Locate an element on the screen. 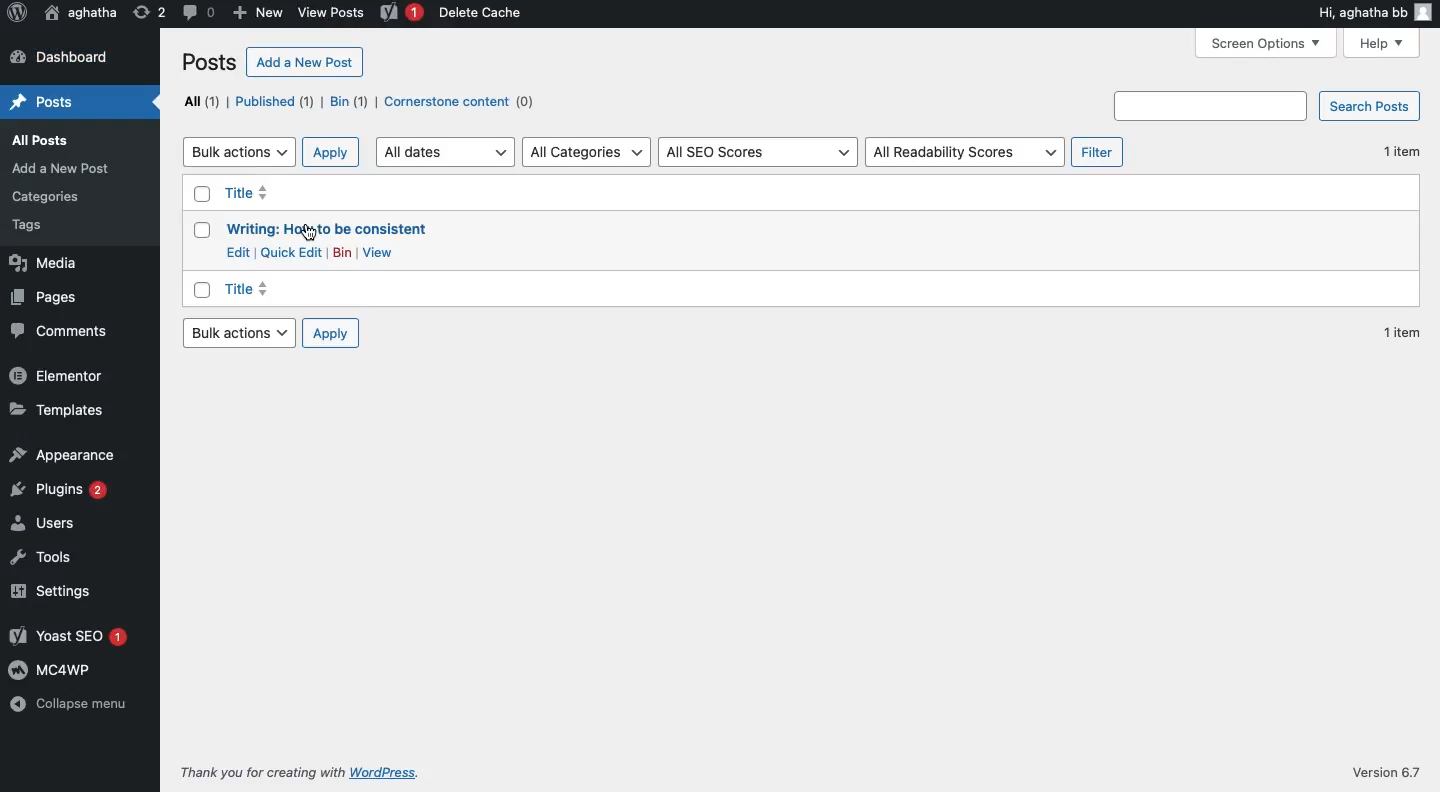  Posts is located at coordinates (208, 63).